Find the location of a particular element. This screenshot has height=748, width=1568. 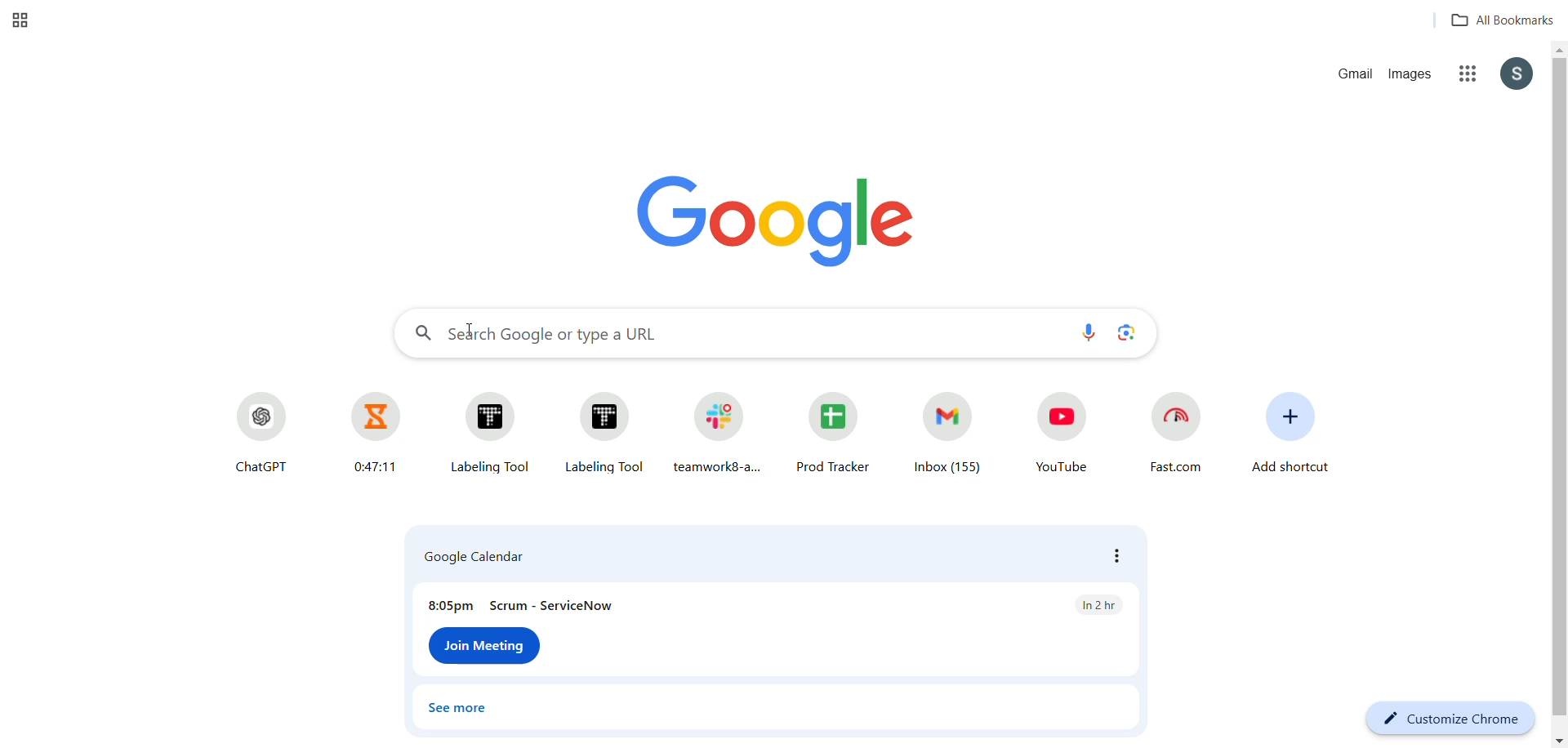

meeting link is located at coordinates (484, 646).